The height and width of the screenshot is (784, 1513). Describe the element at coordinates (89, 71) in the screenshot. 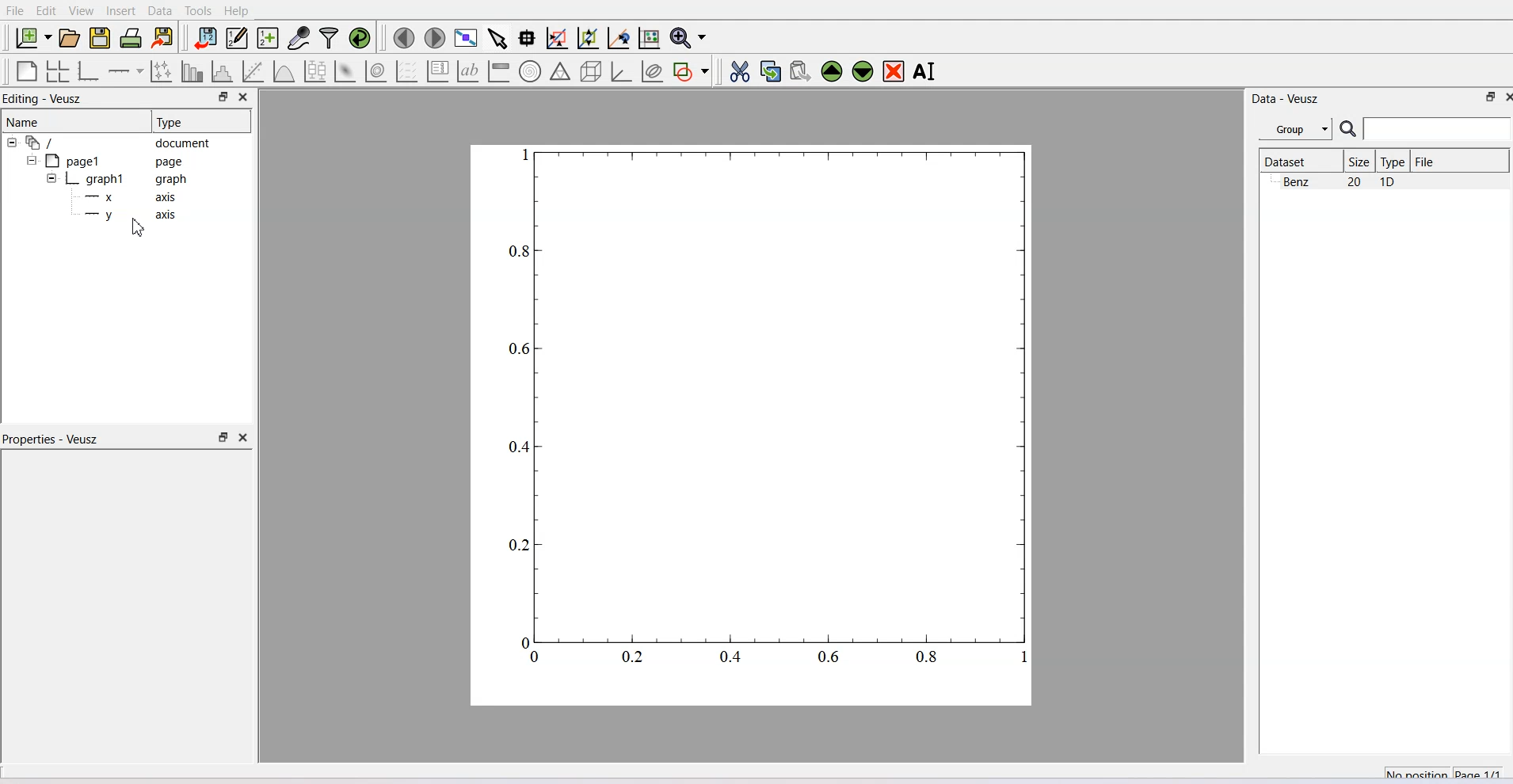

I see `Base Graph` at that location.